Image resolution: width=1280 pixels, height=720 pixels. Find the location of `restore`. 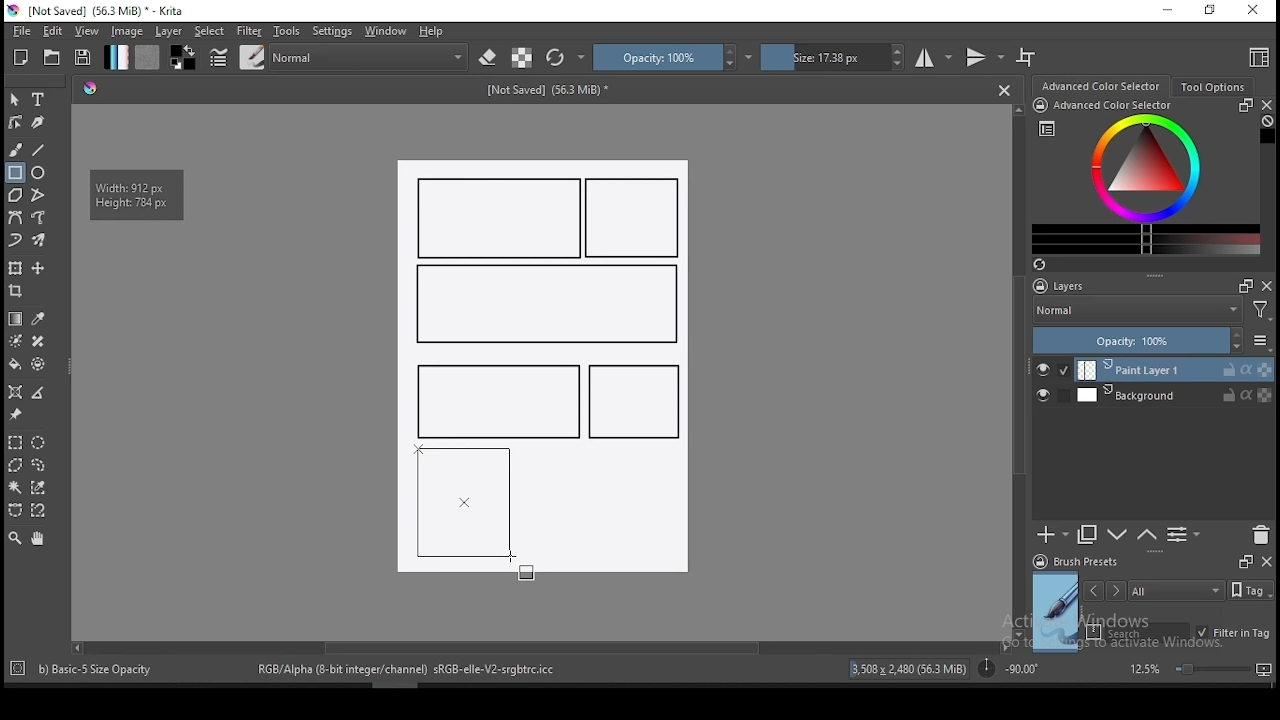

restore is located at coordinates (1214, 11).